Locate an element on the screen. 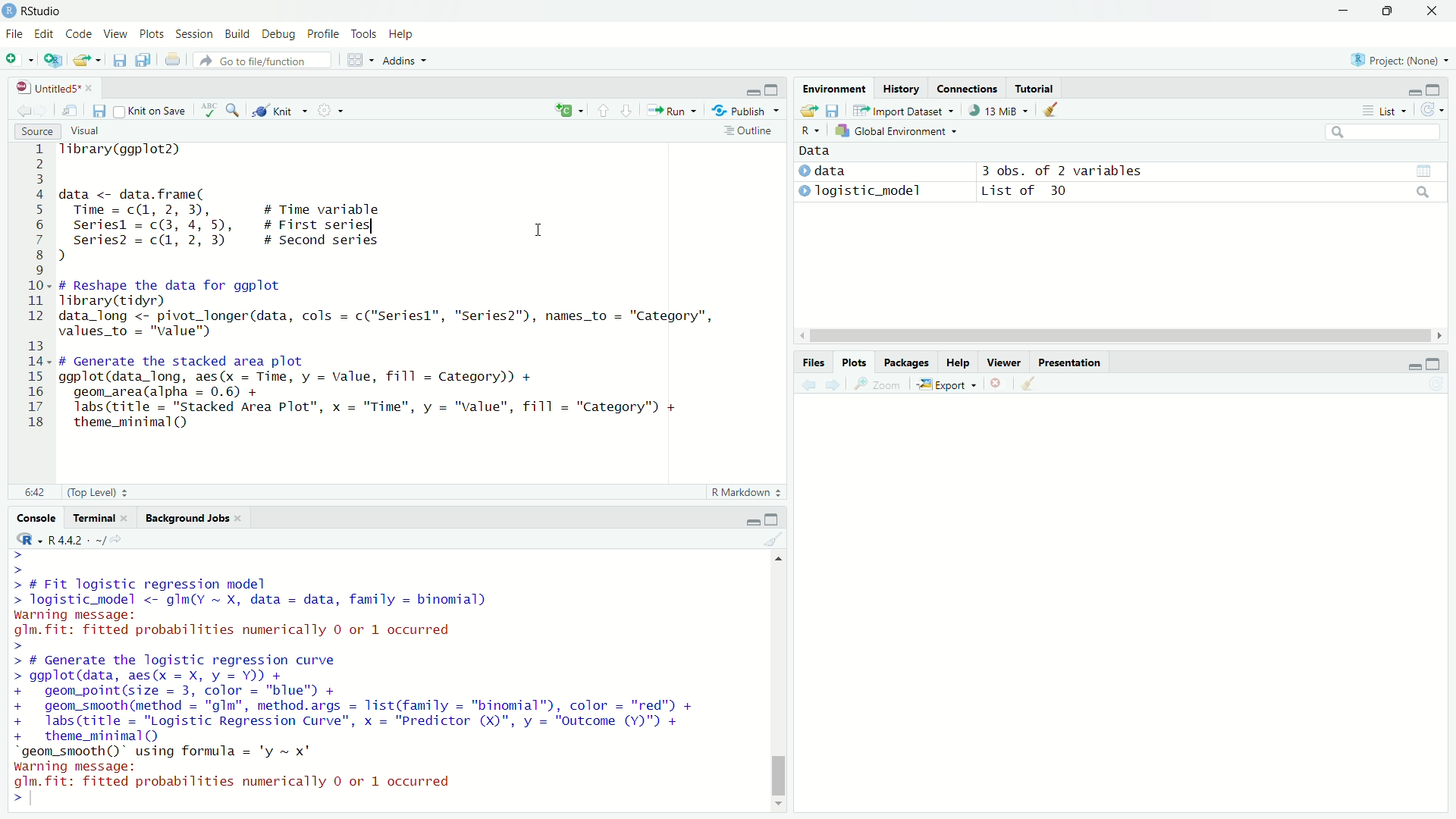  close is located at coordinates (996, 383).